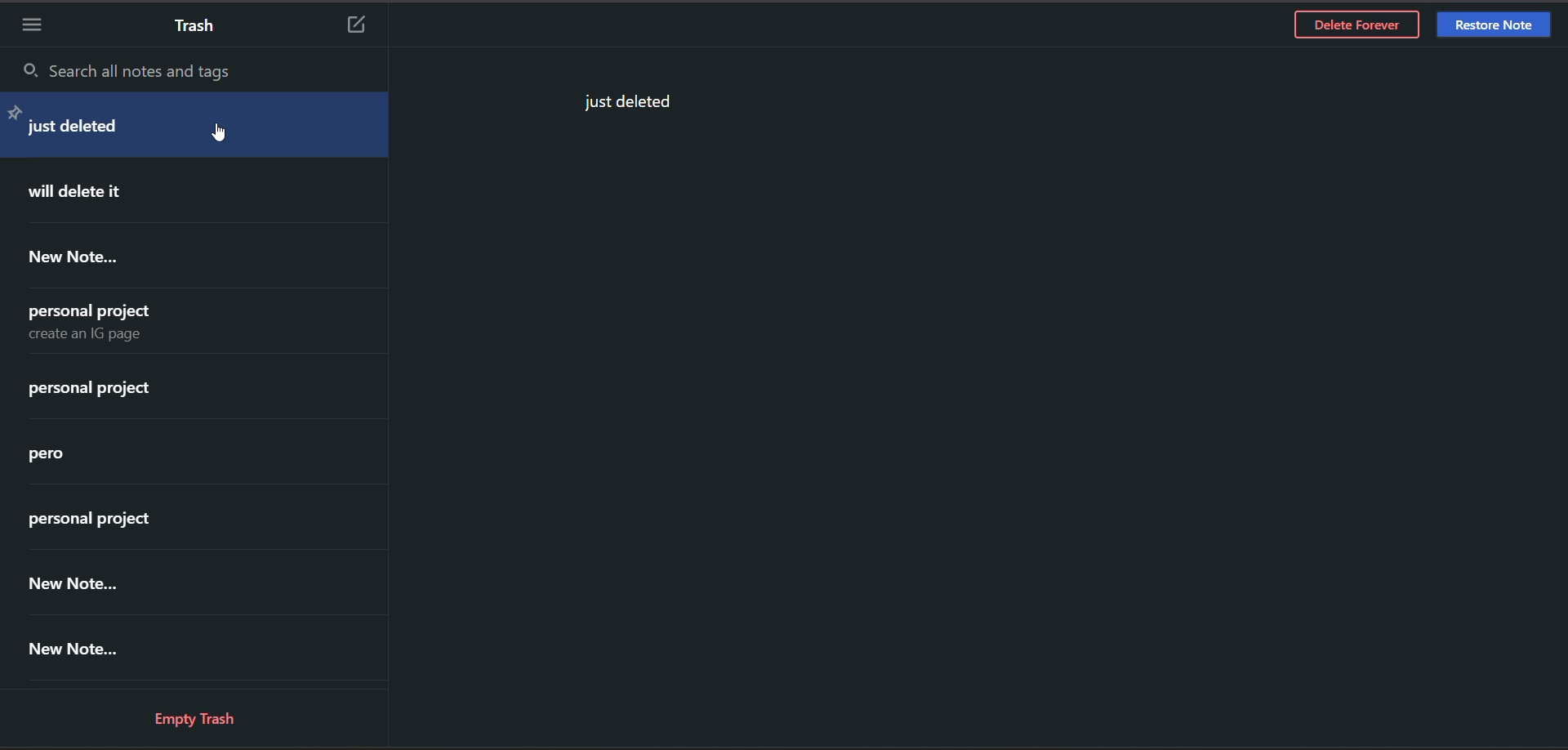 This screenshot has height=750, width=1568. I want to click on new note, so click(363, 26).